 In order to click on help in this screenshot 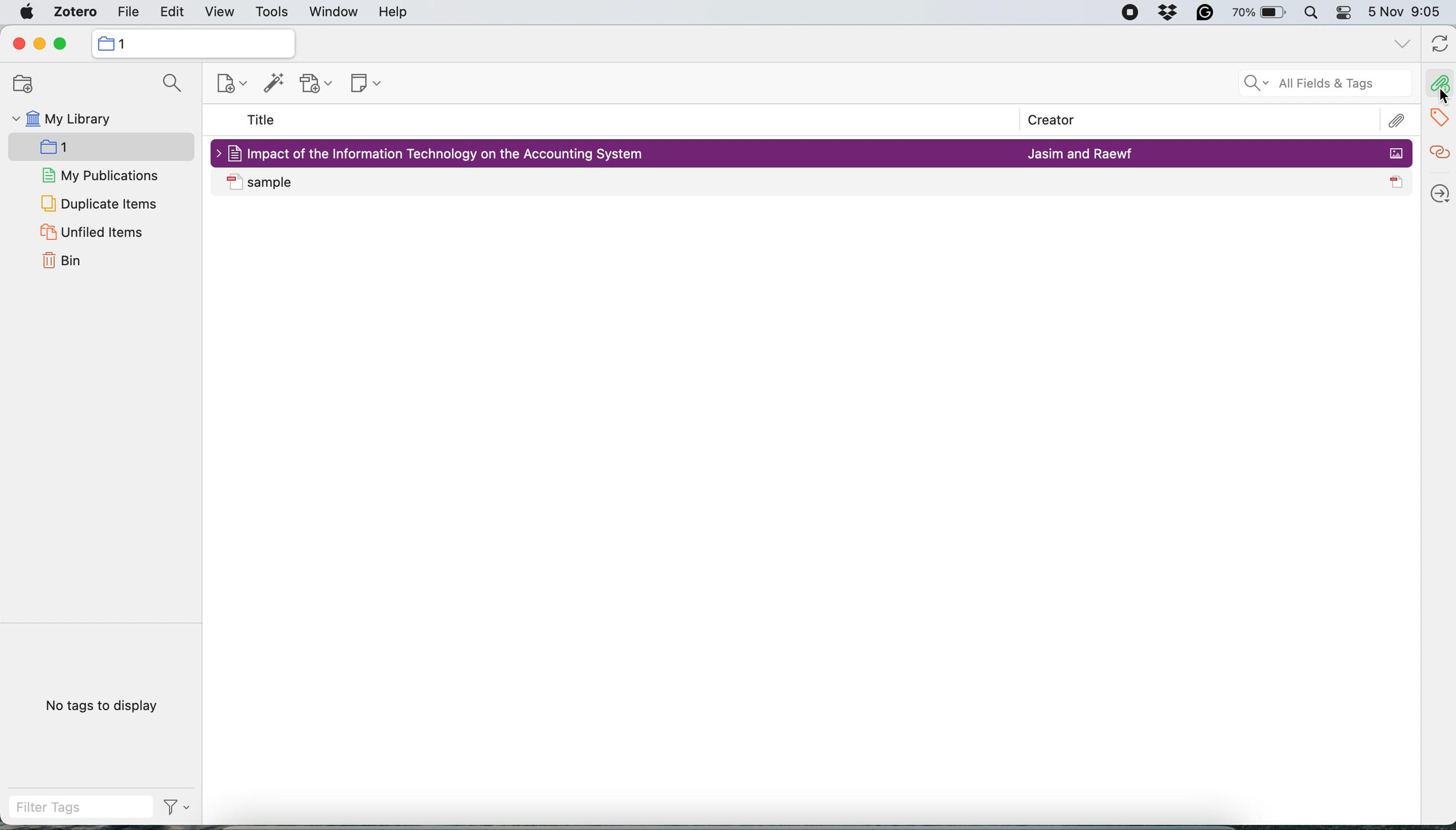, I will do `click(393, 13)`.